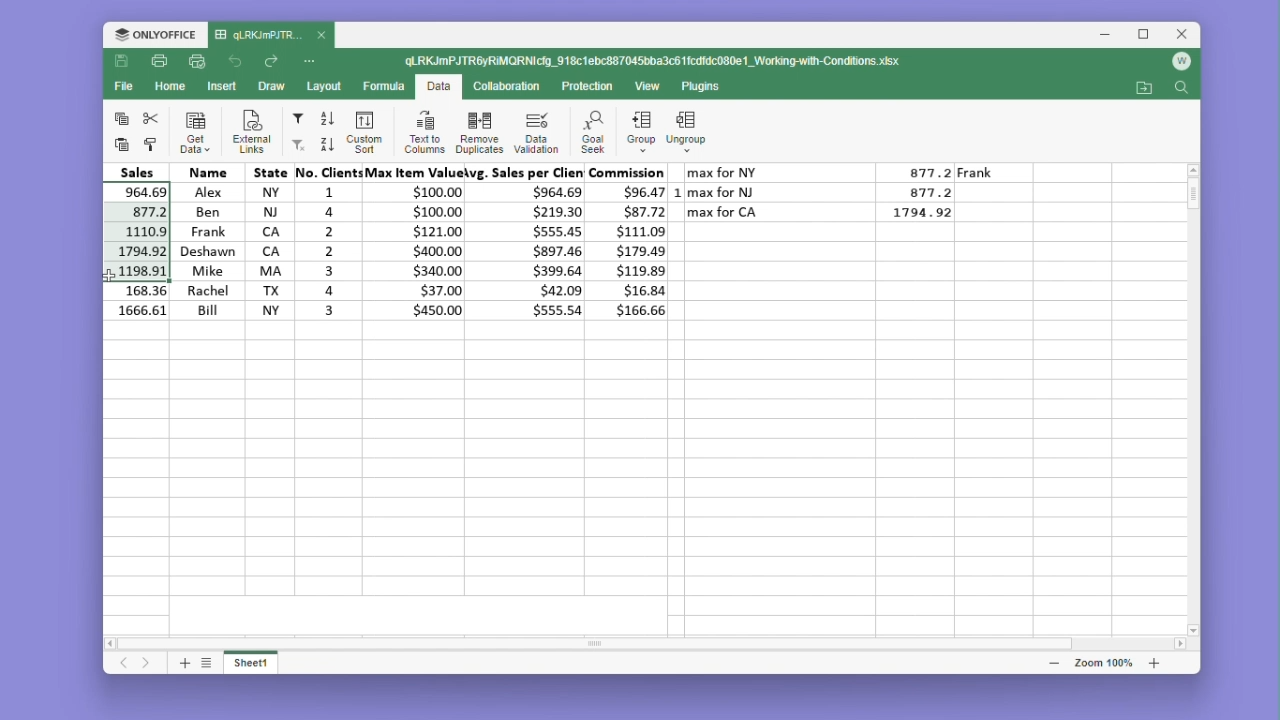 Image resolution: width=1280 pixels, height=720 pixels. I want to click on Custom filter, so click(296, 145).